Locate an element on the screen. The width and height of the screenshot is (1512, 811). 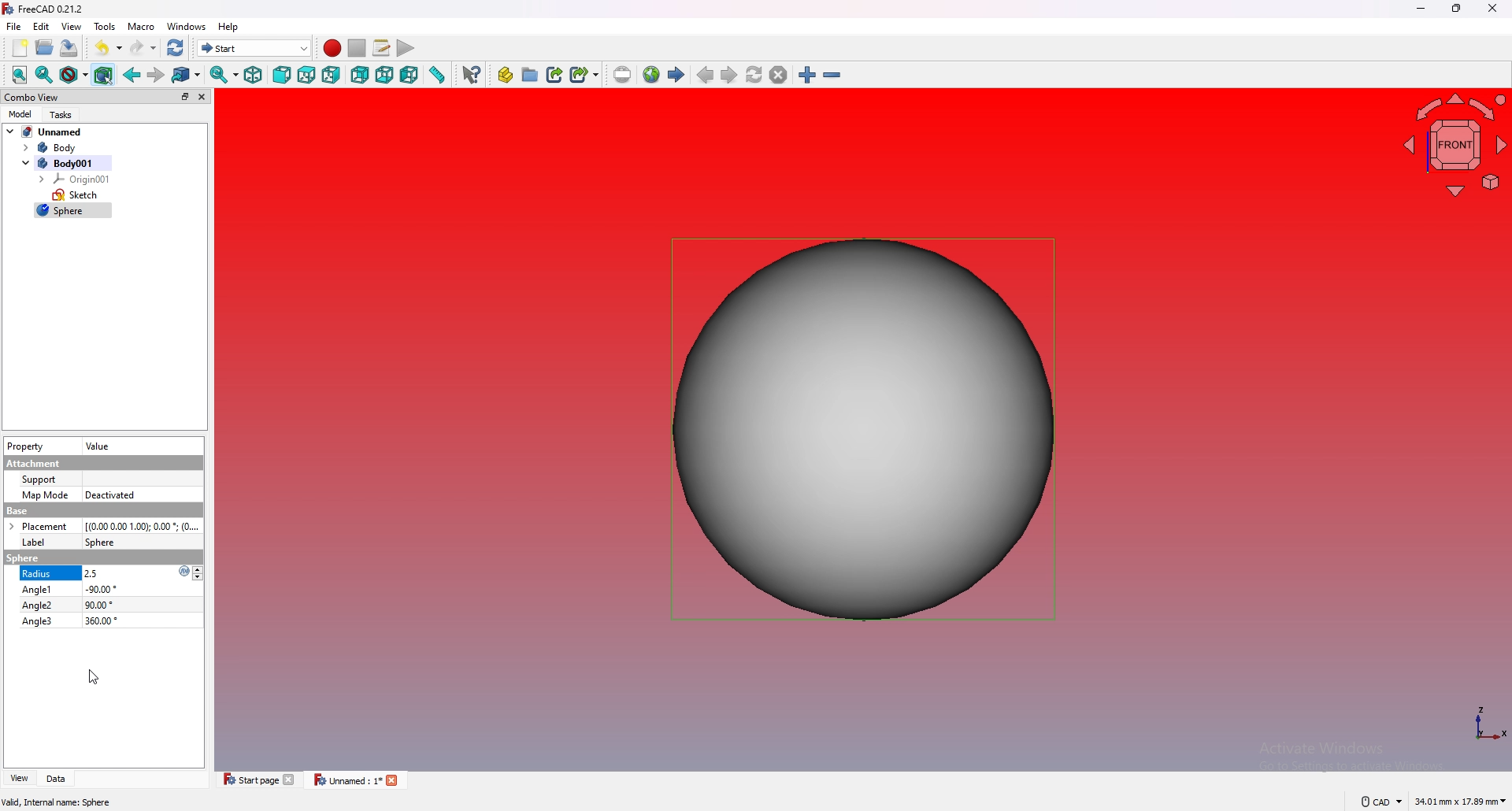
value is located at coordinates (102, 446).